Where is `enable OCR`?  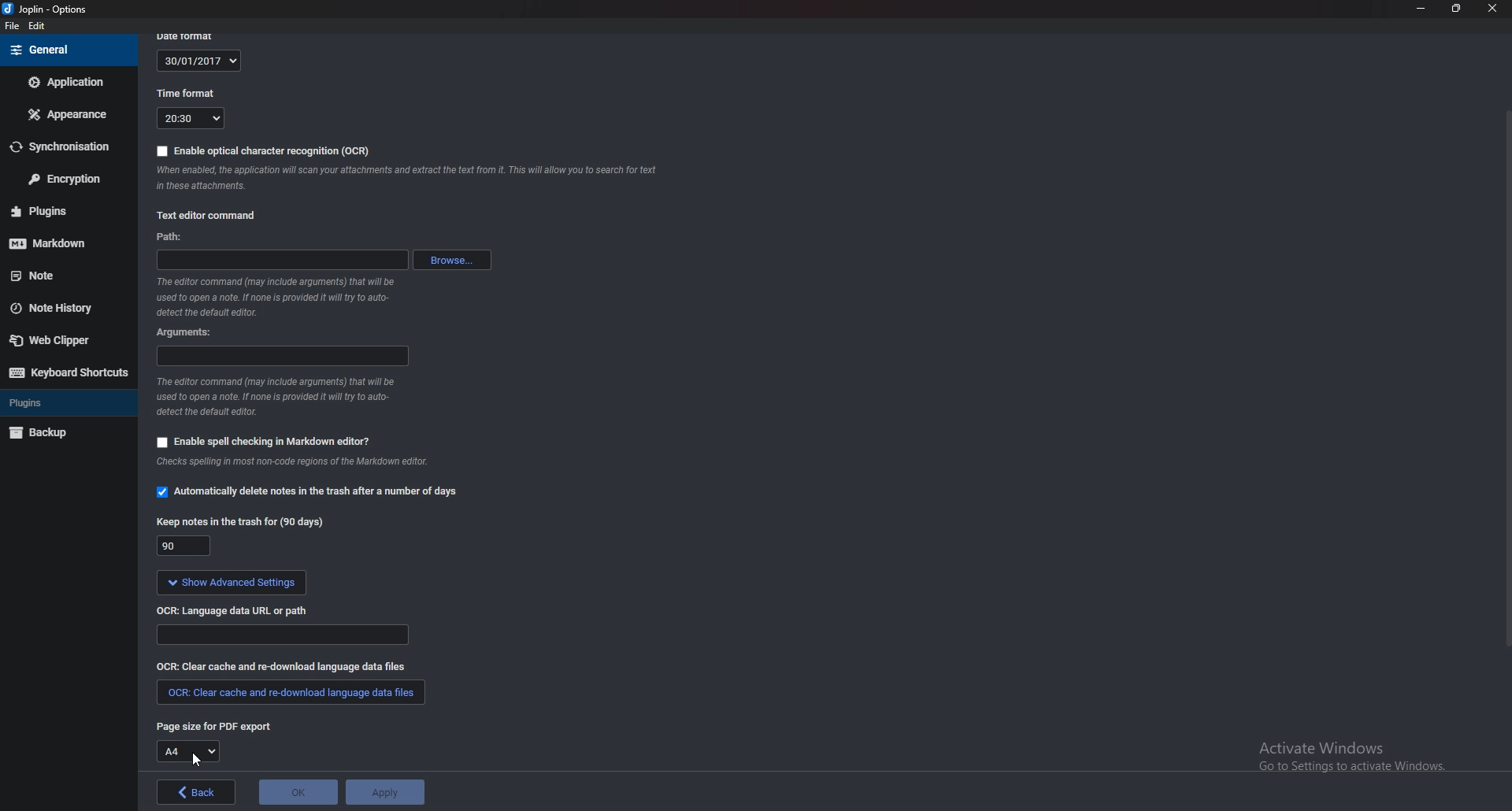
enable OCR is located at coordinates (266, 151).